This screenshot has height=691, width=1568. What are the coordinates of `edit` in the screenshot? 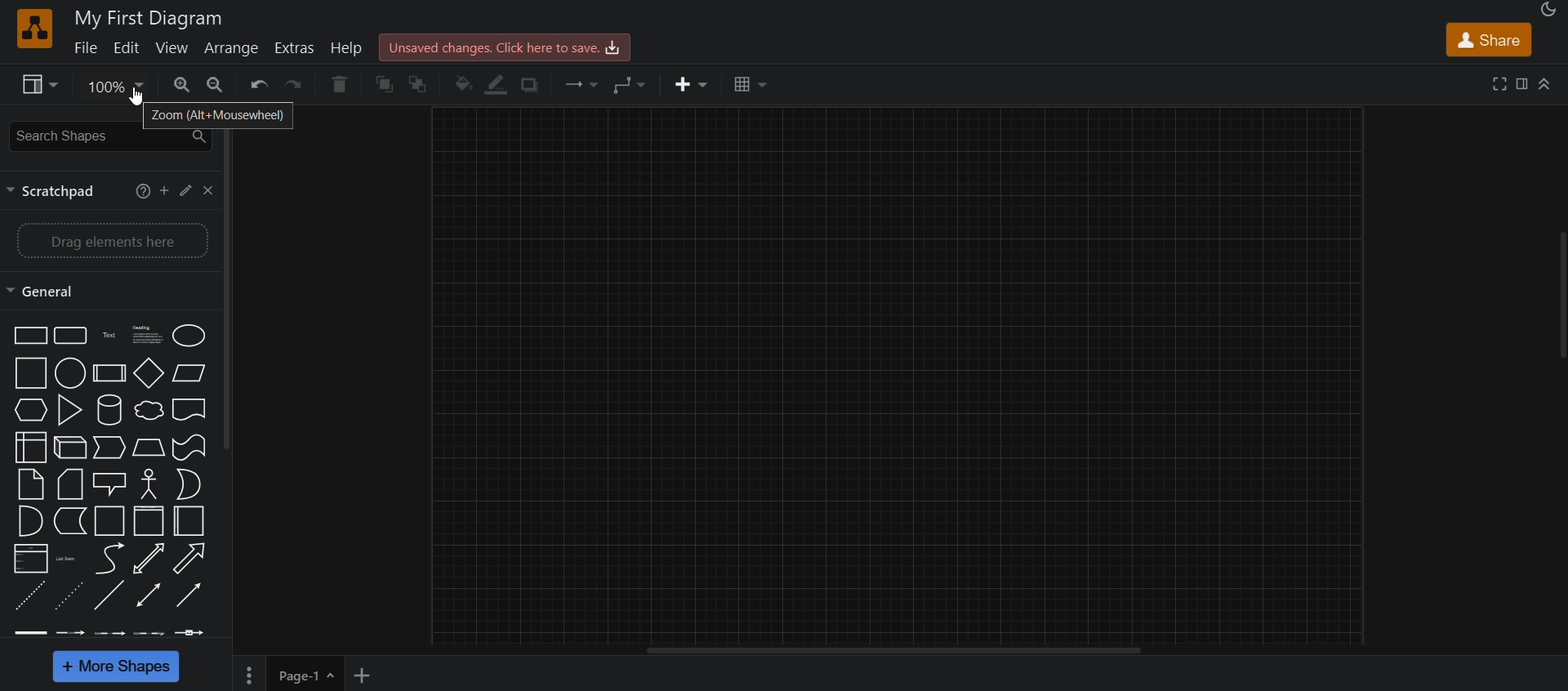 It's located at (127, 47).